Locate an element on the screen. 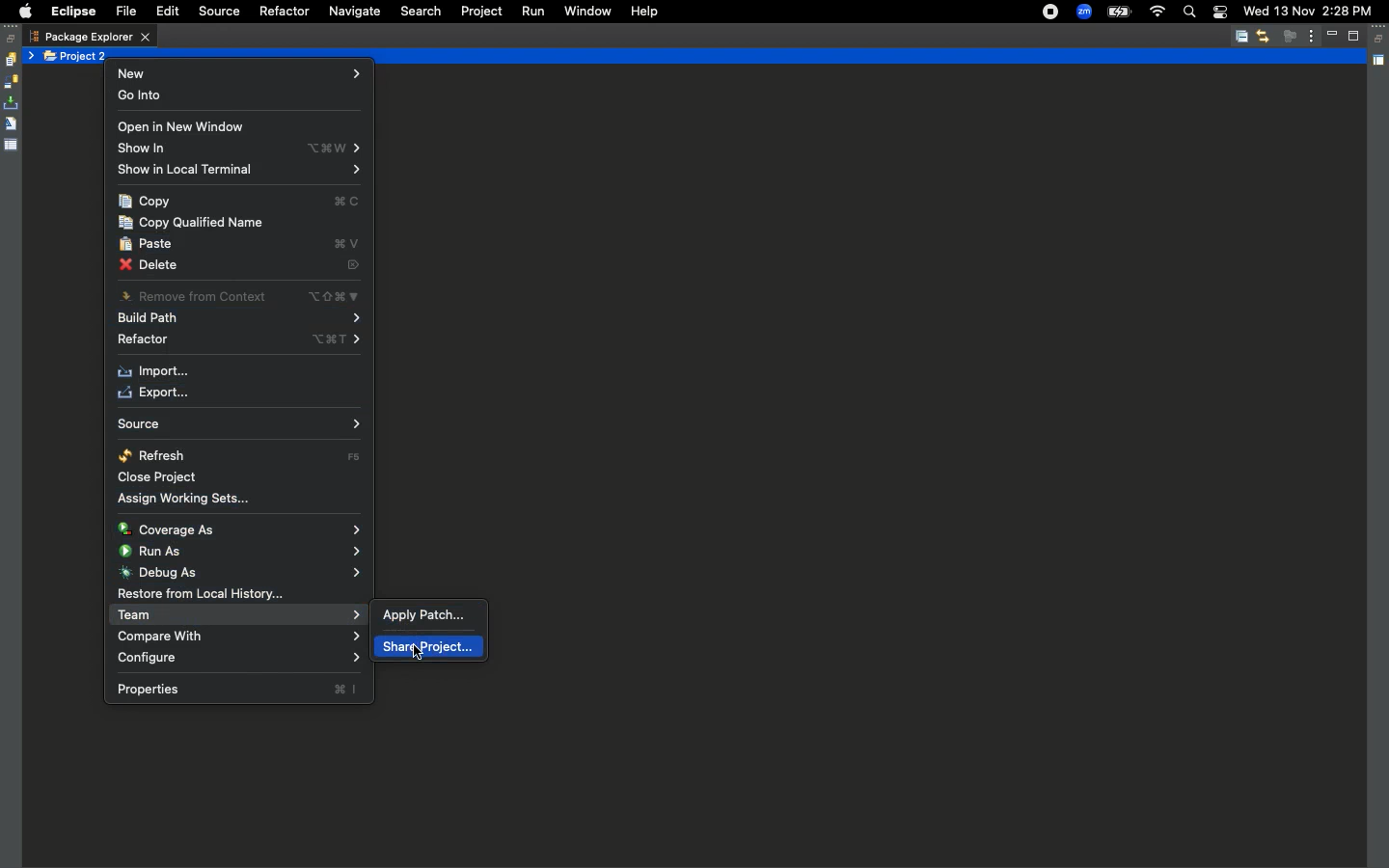 This screenshot has height=868, width=1389. Run as is located at coordinates (242, 550).